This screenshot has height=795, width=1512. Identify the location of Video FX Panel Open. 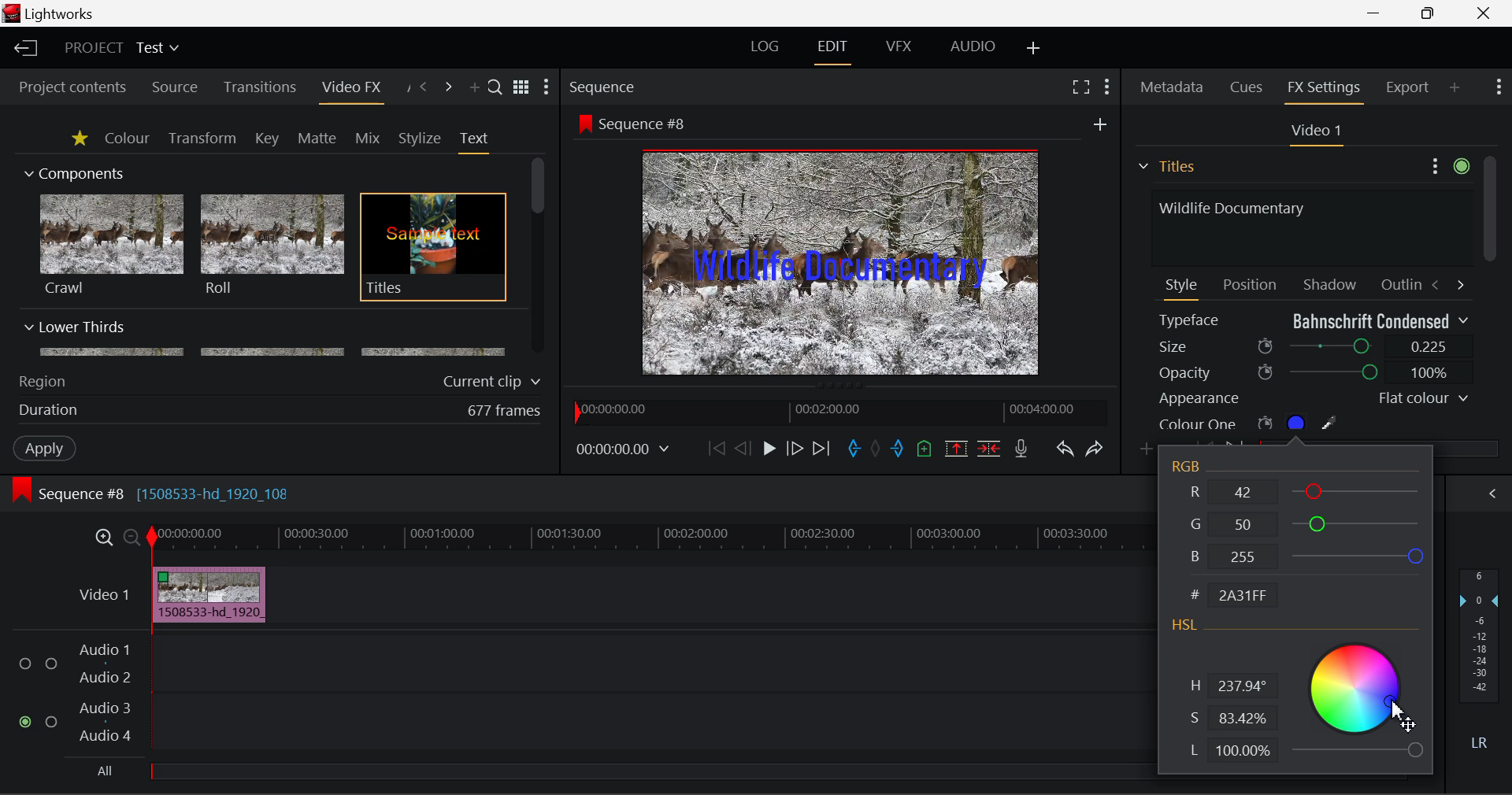
(350, 89).